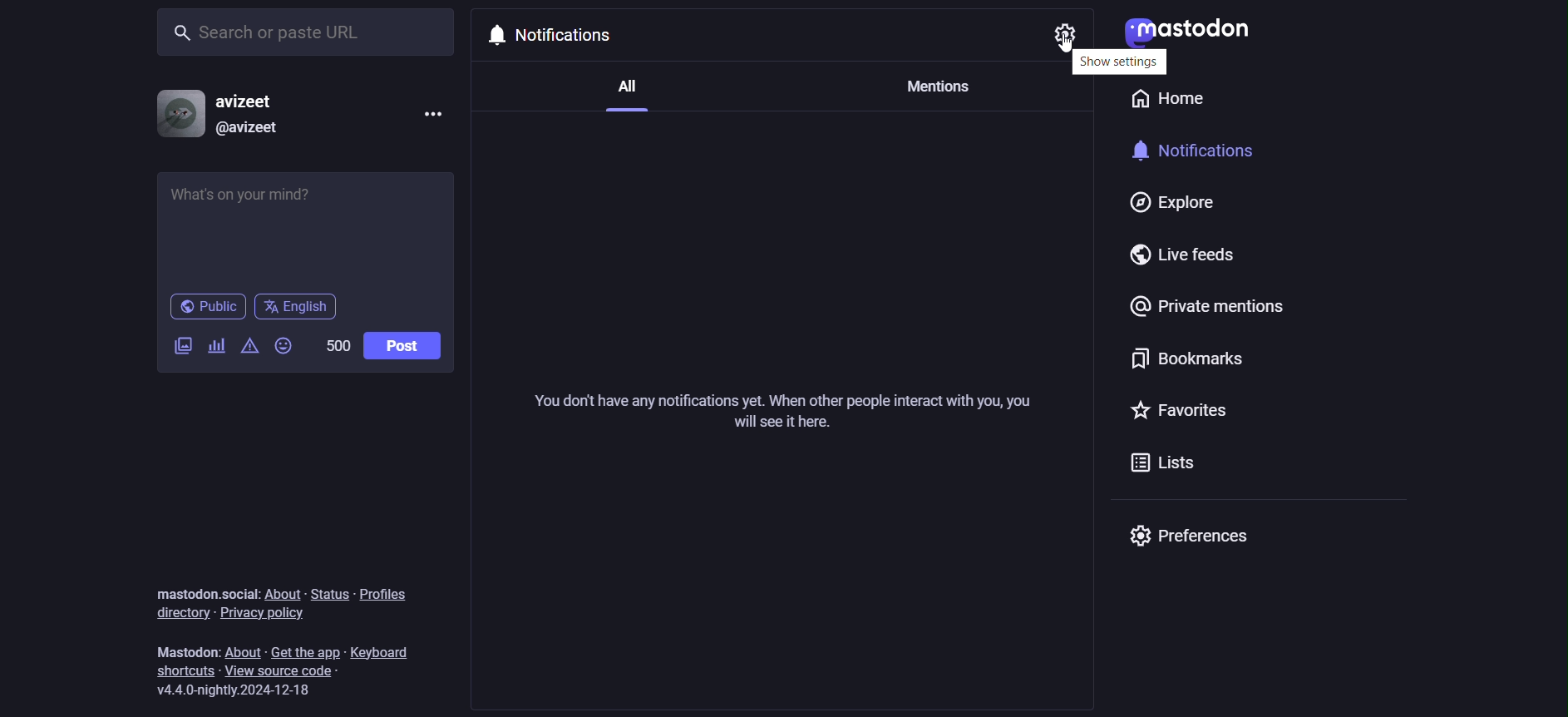 The height and width of the screenshot is (717, 1568). I want to click on shortcuts, so click(182, 671).